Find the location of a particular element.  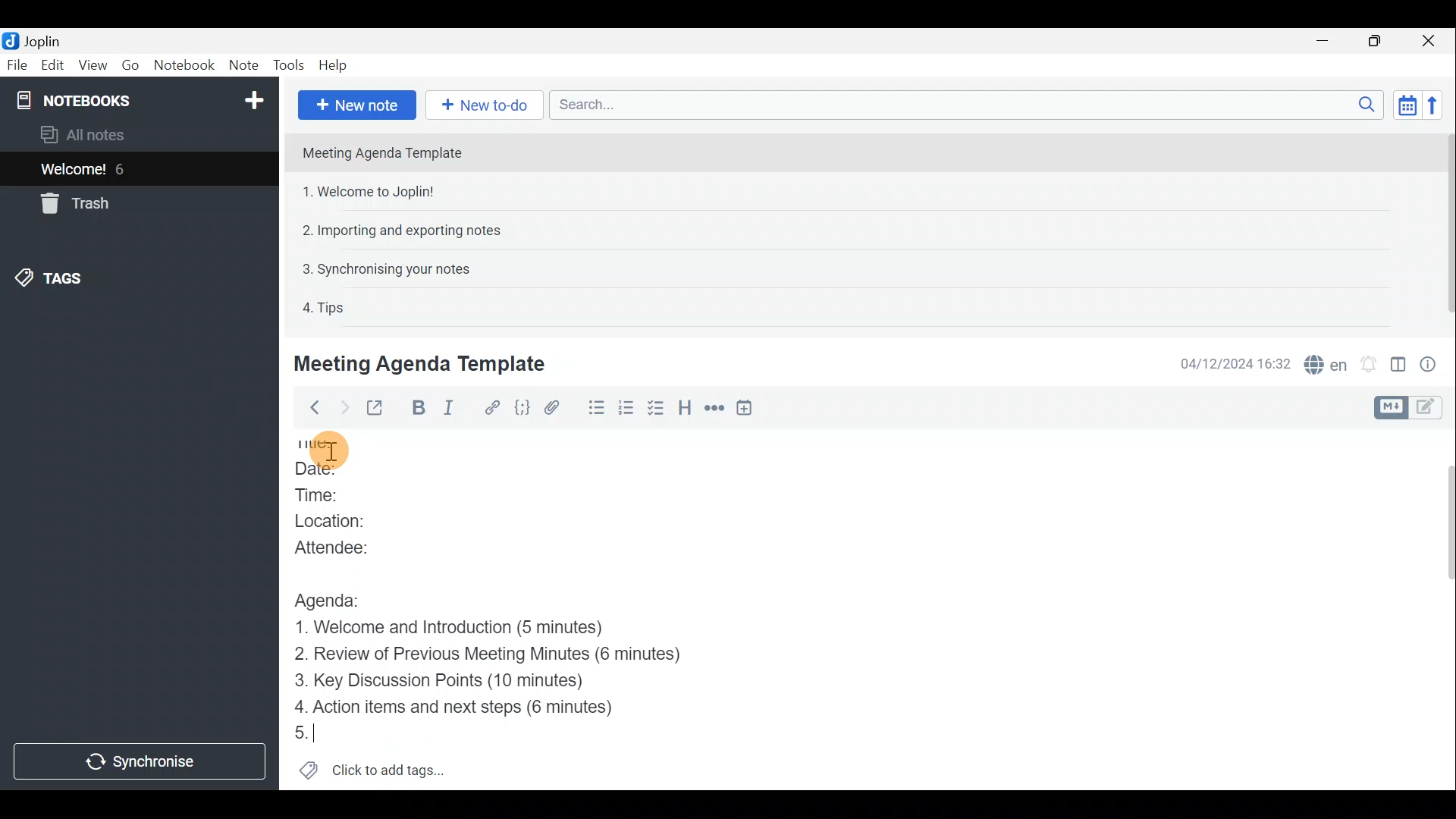

Synchronise is located at coordinates (140, 760).